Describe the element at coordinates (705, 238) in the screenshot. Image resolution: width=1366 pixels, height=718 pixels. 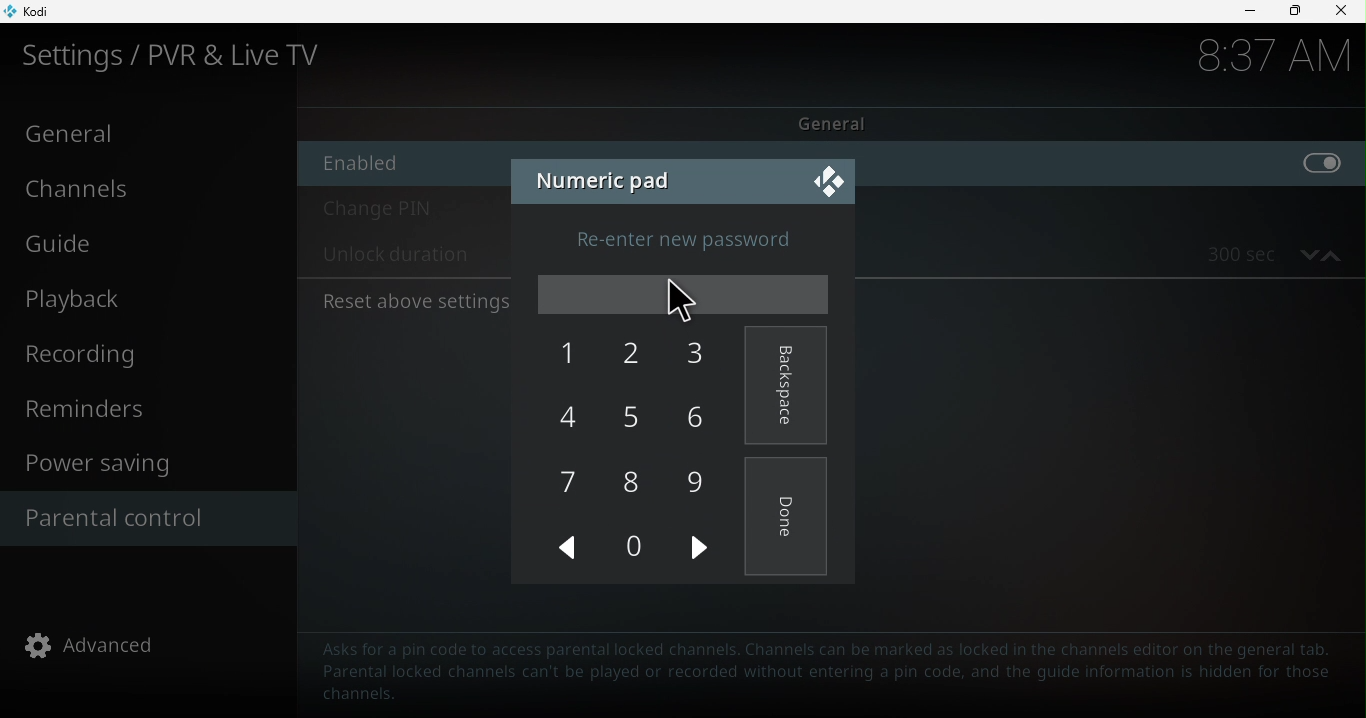
I see `Re-enter new password` at that location.